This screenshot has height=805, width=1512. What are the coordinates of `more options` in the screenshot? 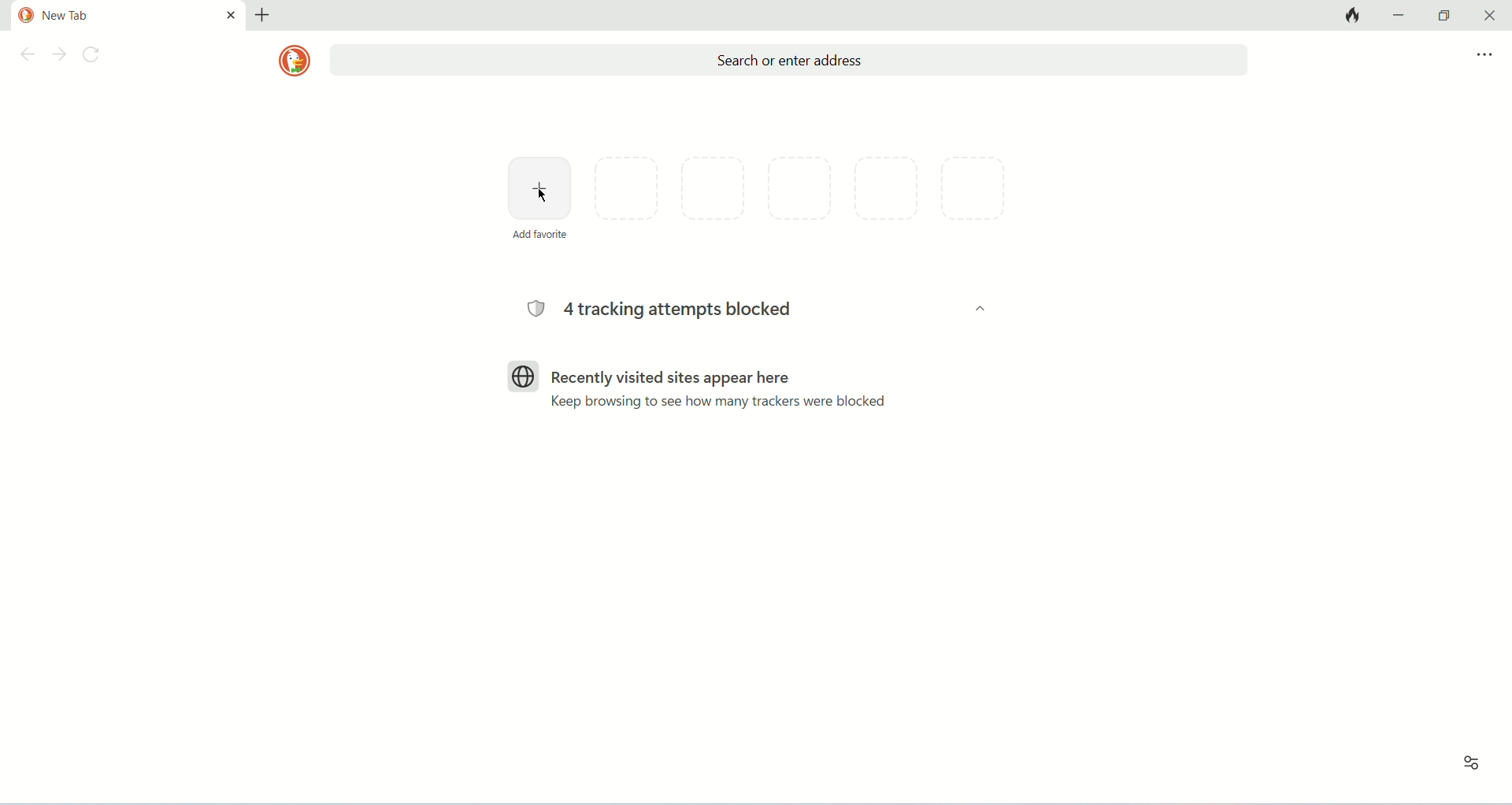 It's located at (1484, 55).